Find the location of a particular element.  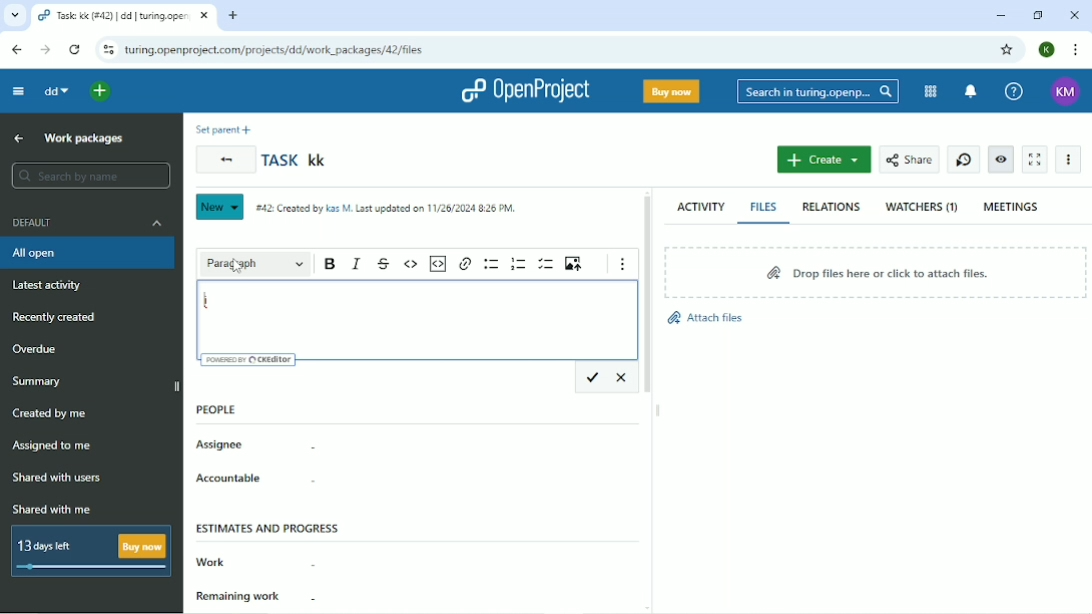

Start new timer is located at coordinates (964, 159).